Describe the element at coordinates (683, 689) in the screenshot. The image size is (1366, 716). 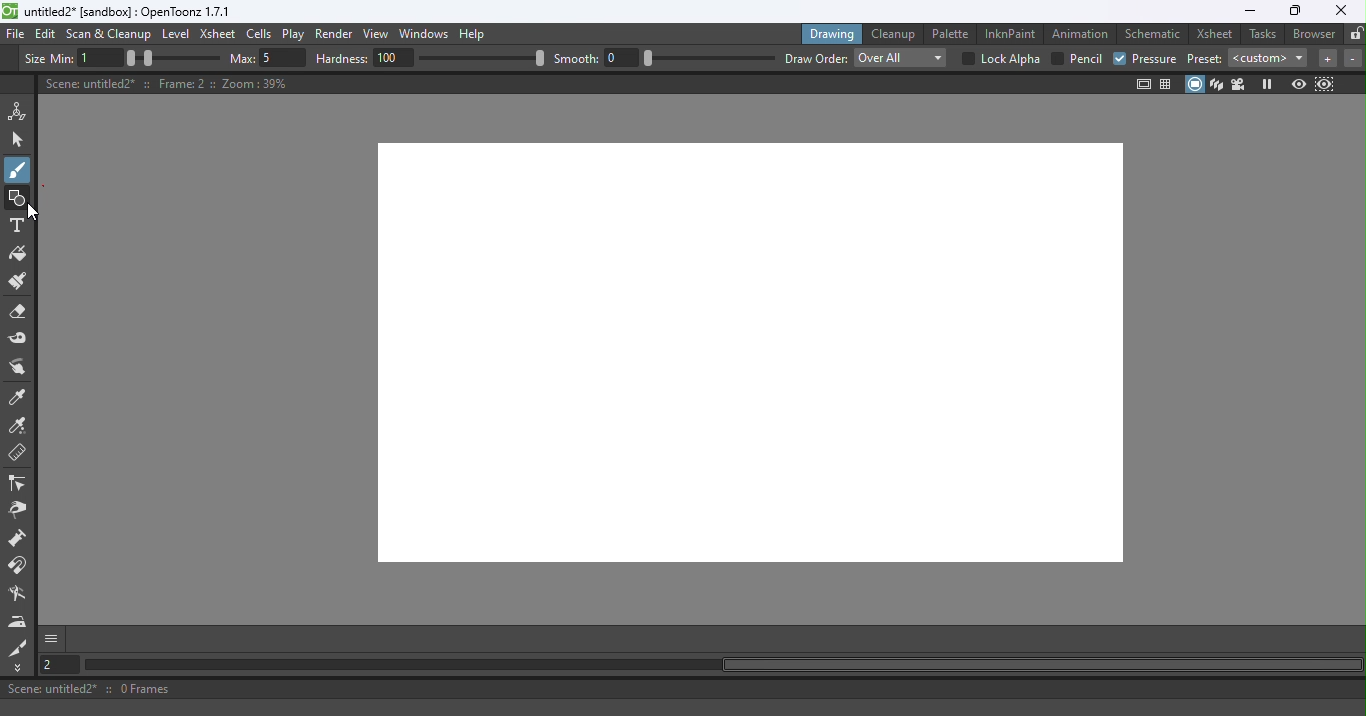
I see `Status bar` at that location.